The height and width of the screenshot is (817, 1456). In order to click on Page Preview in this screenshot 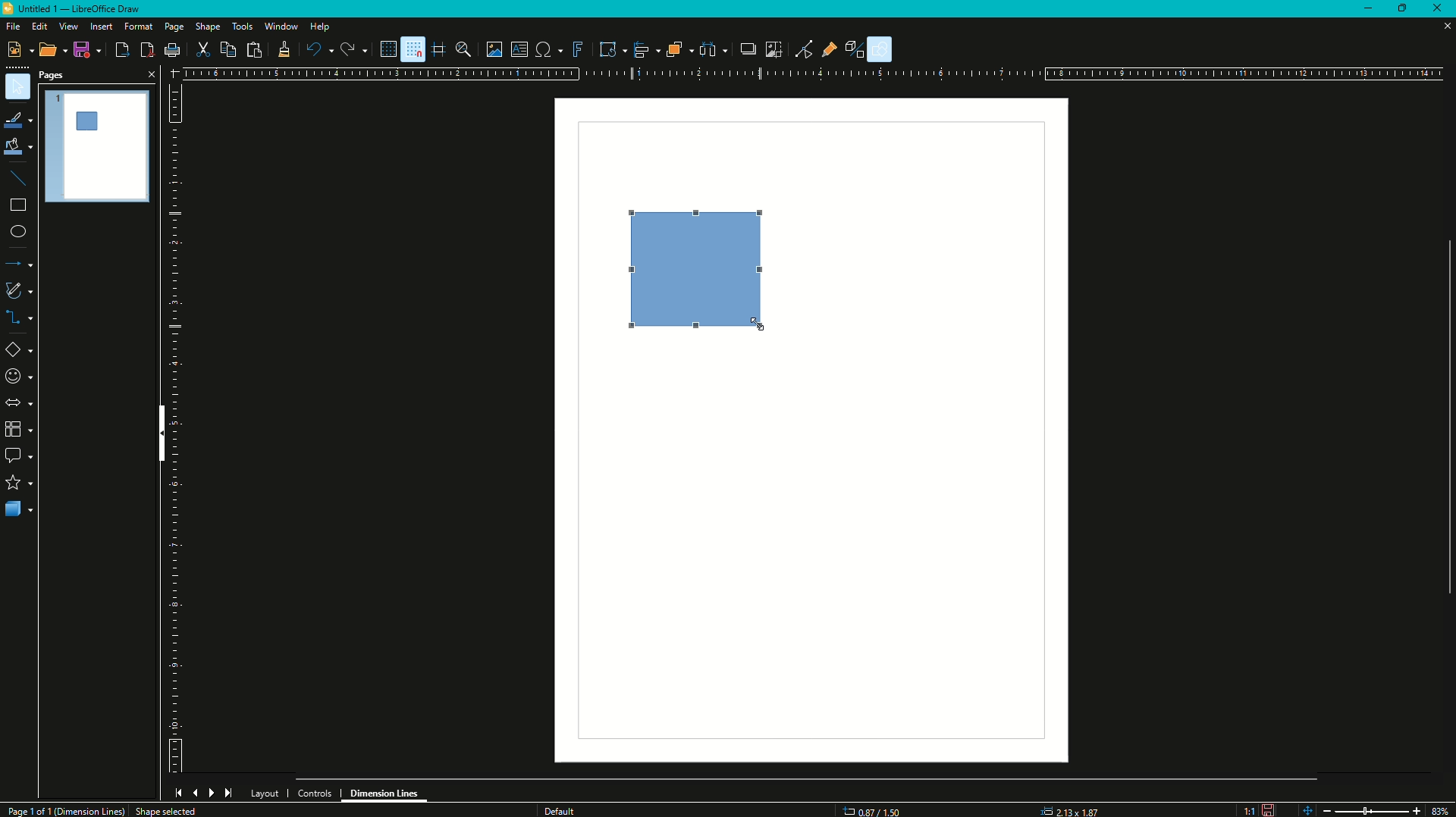, I will do `click(98, 144)`.